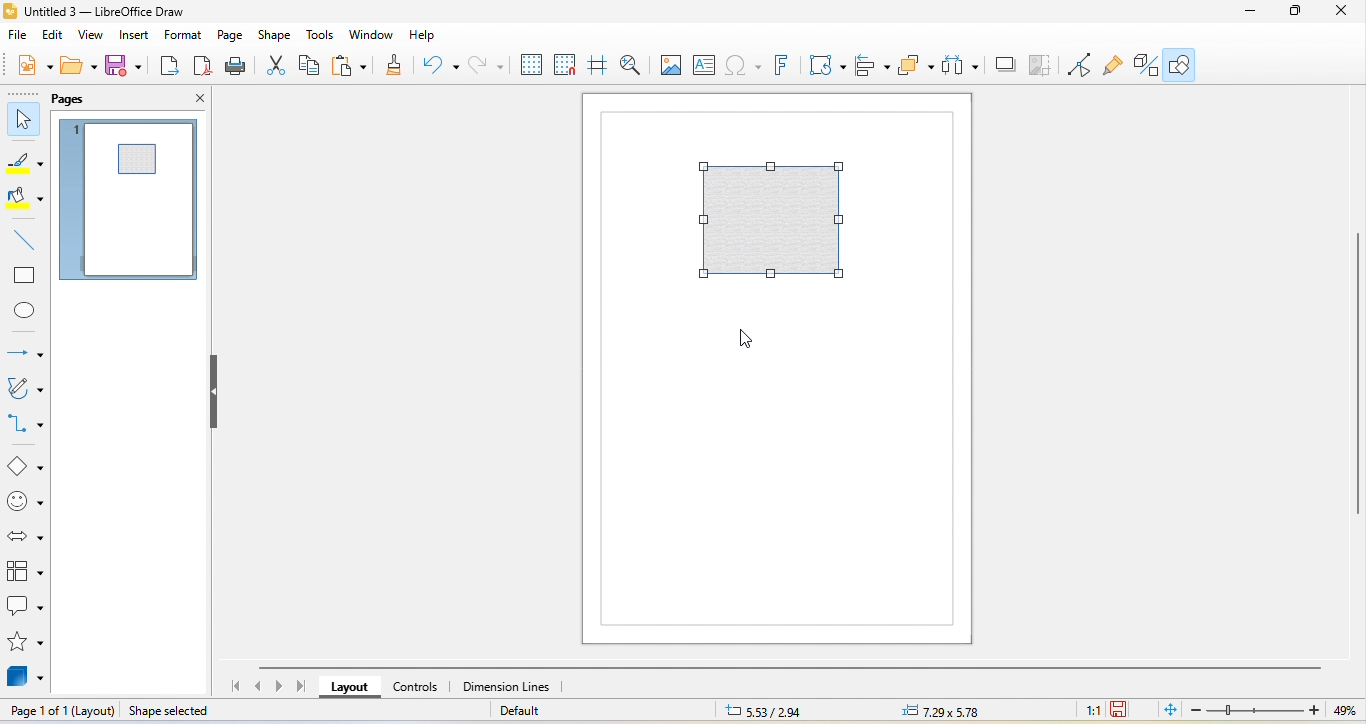  What do you see at coordinates (1124, 711) in the screenshot?
I see `since the last save` at bounding box center [1124, 711].